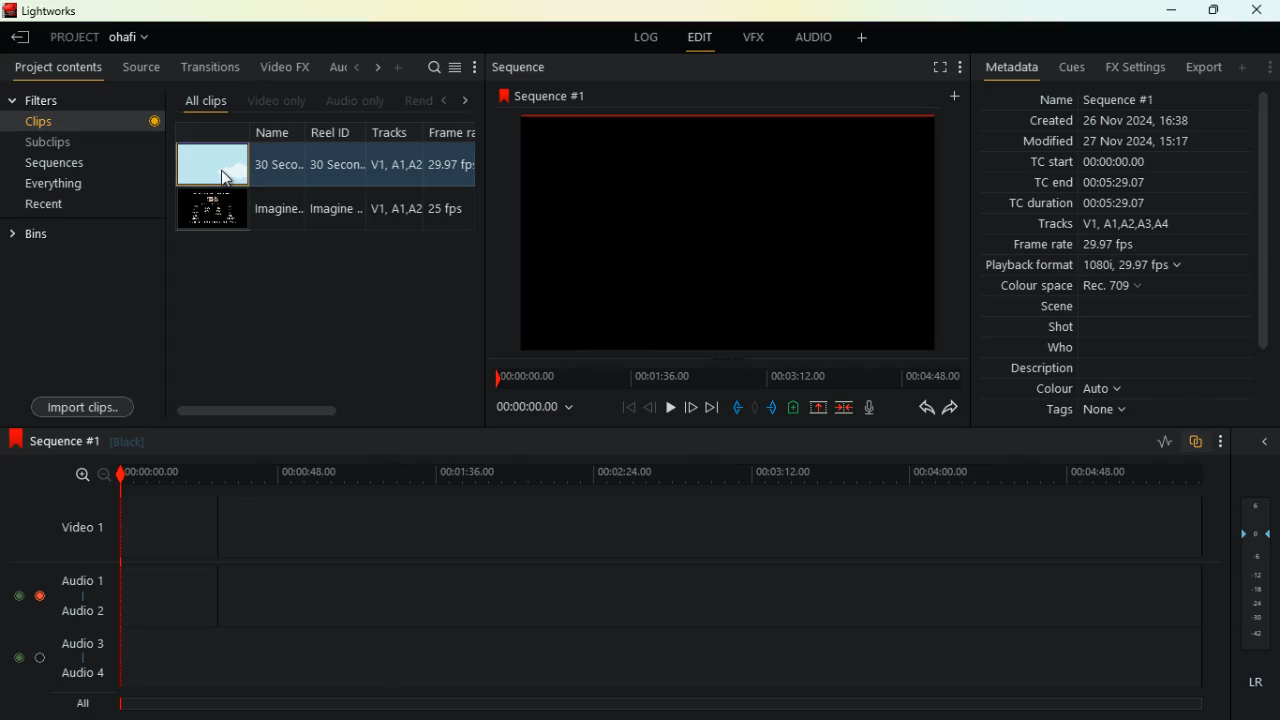 The image size is (1280, 720). I want to click on au, so click(338, 69).